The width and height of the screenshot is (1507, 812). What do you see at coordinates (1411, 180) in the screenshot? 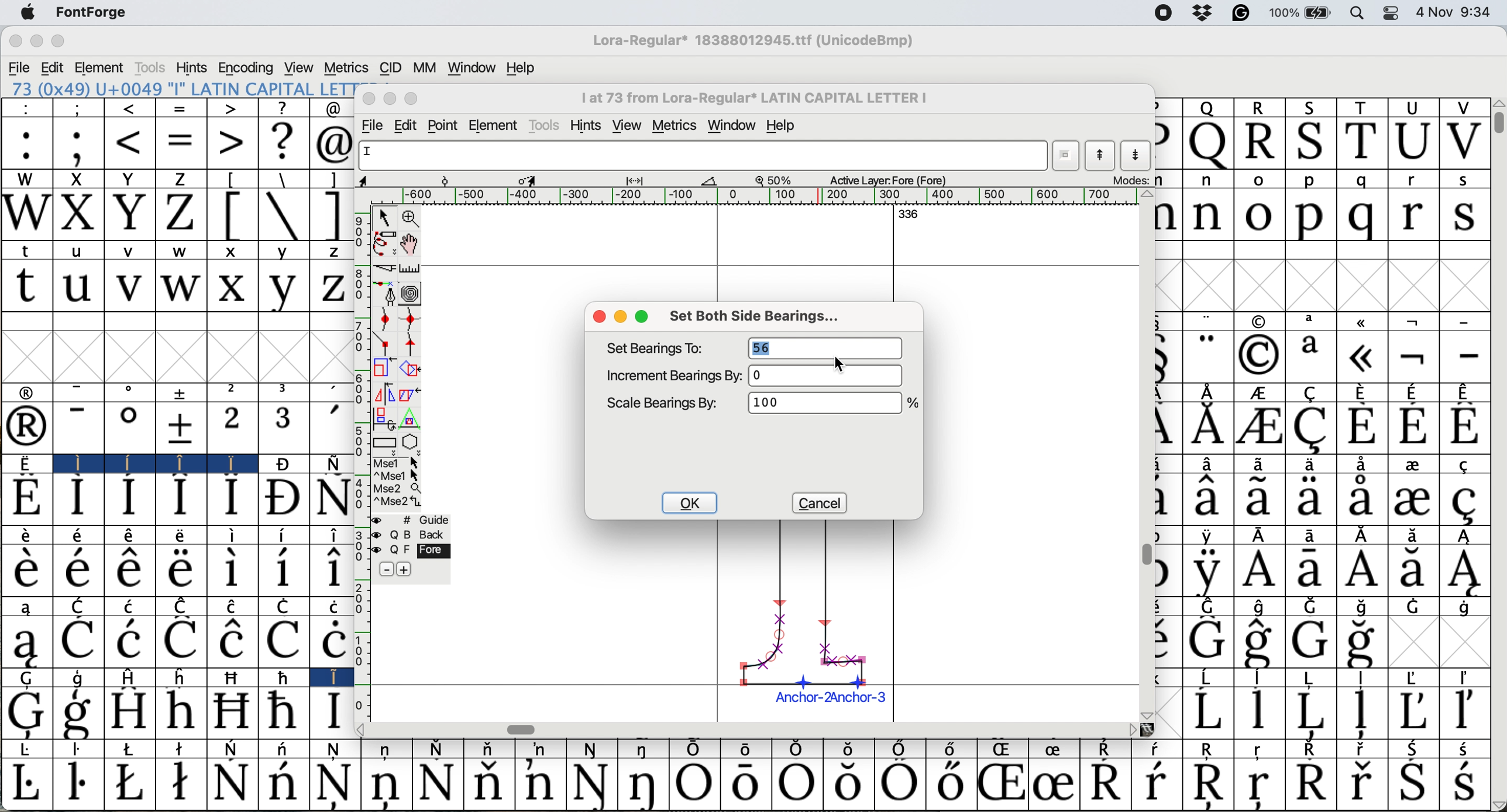
I see `r` at bounding box center [1411, 180].